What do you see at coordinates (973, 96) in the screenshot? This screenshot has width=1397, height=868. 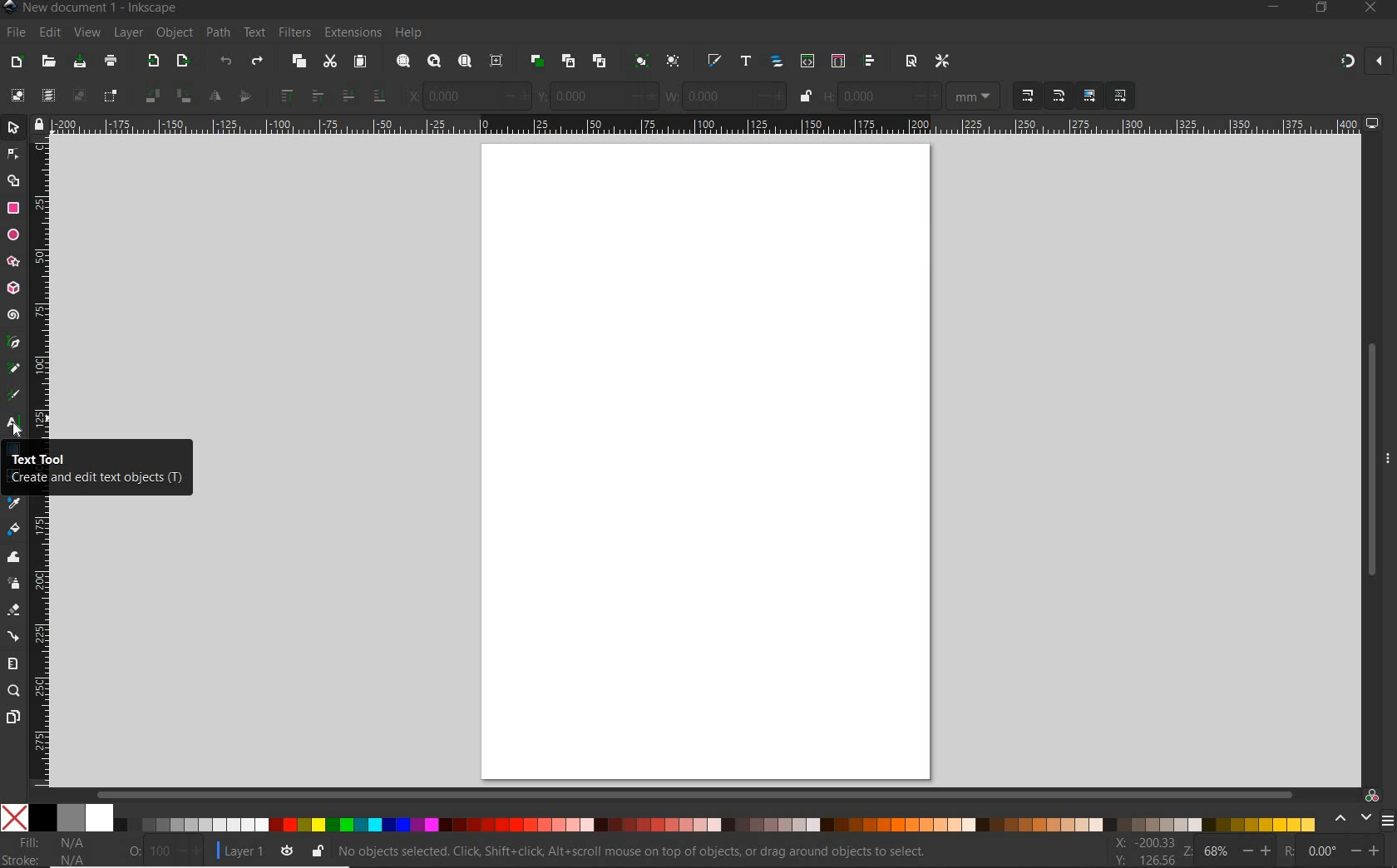 I see `measurement` at bounding box center [973, 96].